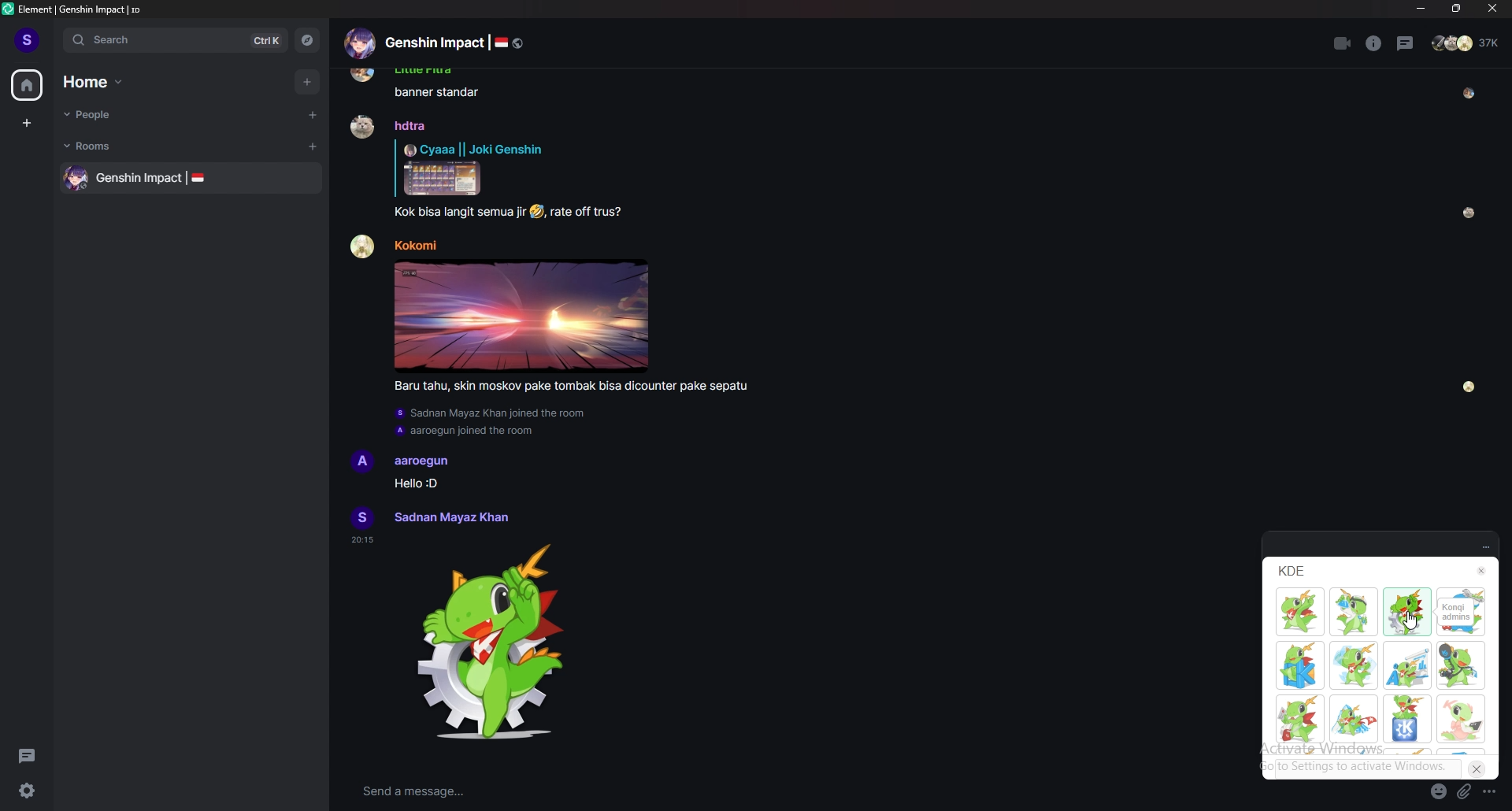 This screenshot has height=811, width=1512. Describe the element at coordinates (1301, 613) in the screenshot. I see `Kongi` at that location.